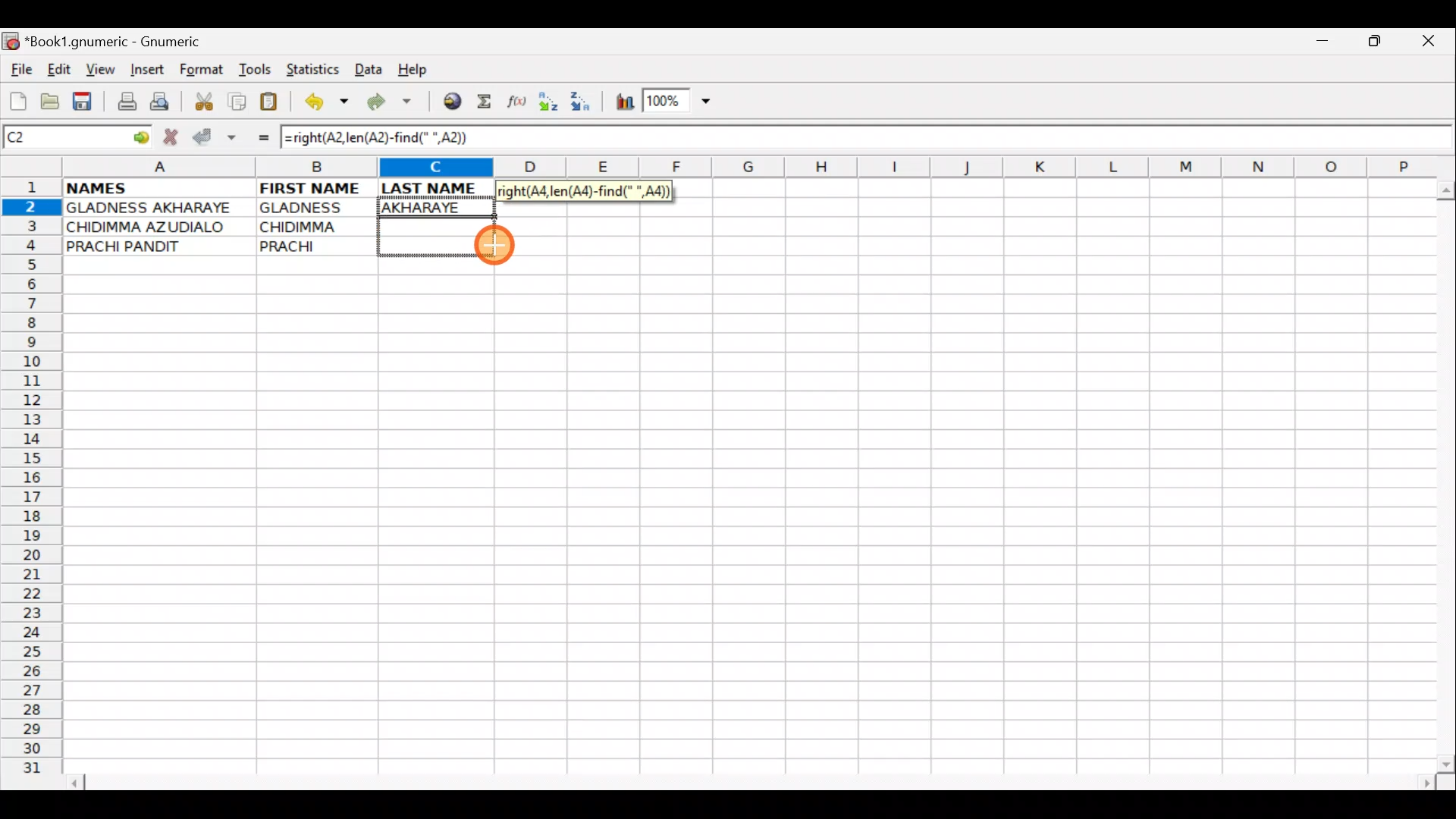 The height and width of the screenshot is (819, 1456). Describe the element at coordinates (17, 99) in the screenshot. I see `Create new workbook` at that location.